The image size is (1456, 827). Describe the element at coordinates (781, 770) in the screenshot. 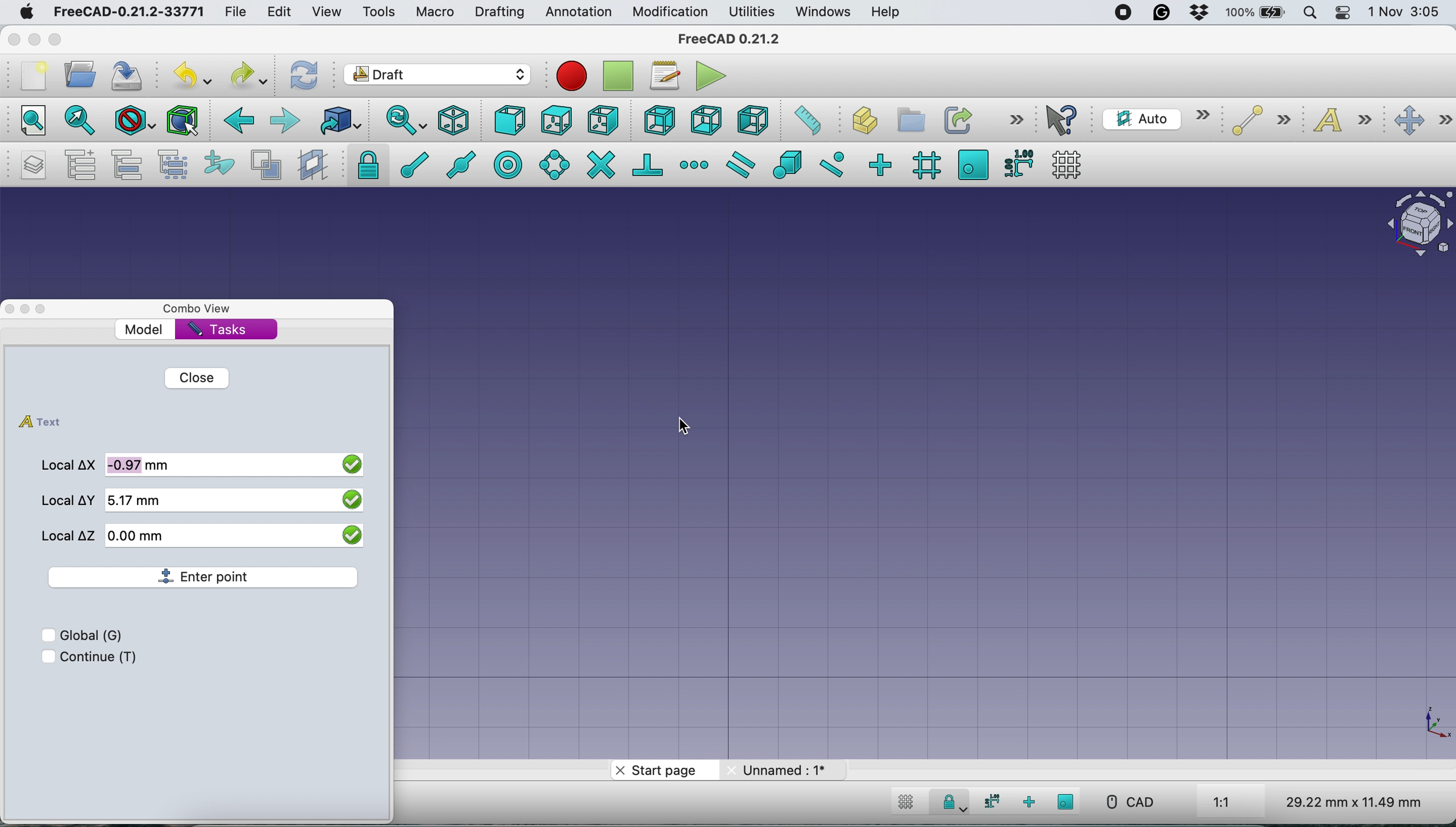

I see `unnamed` at that location.